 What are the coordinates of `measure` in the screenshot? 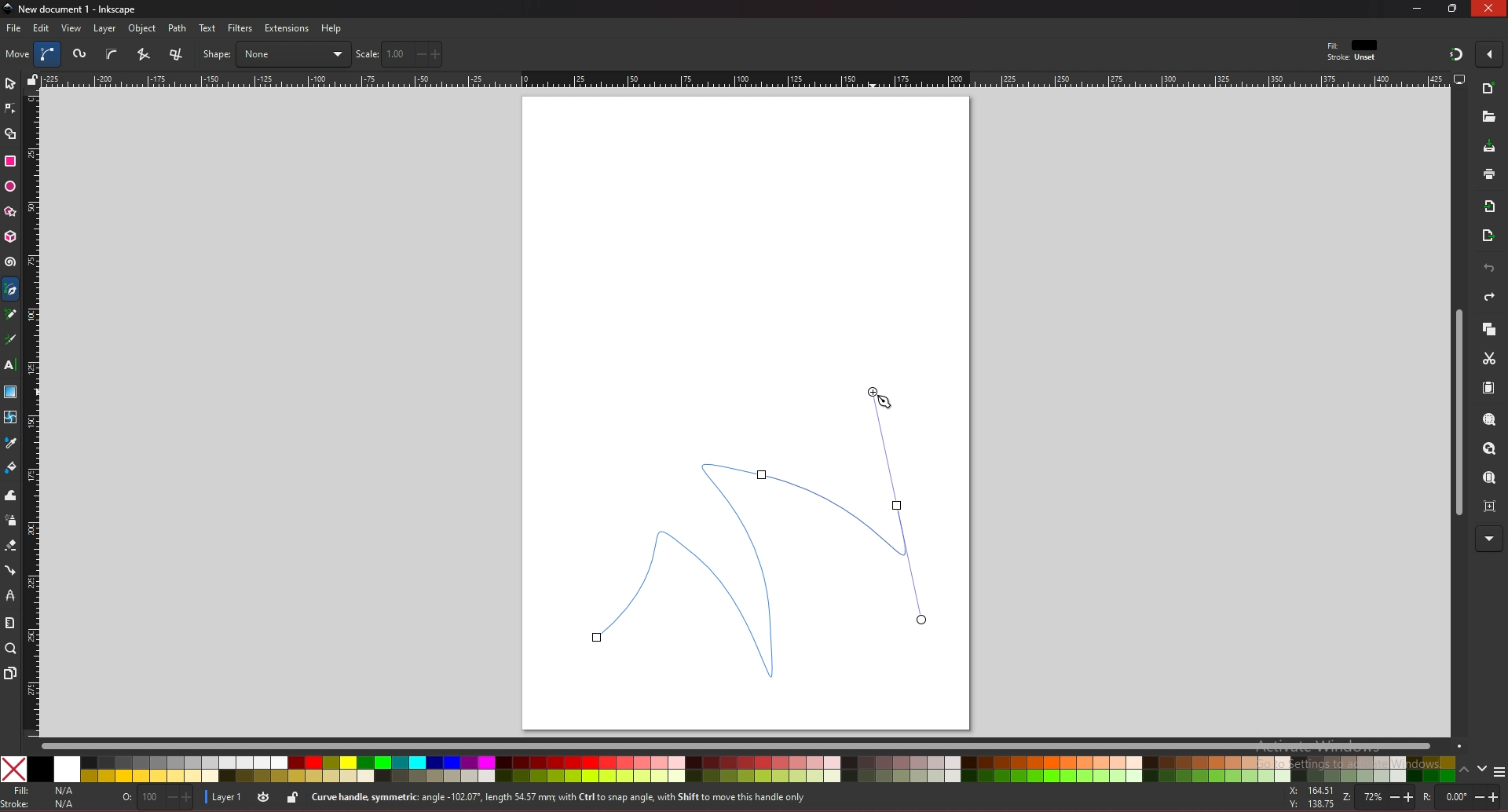 It's located at (9, 623).